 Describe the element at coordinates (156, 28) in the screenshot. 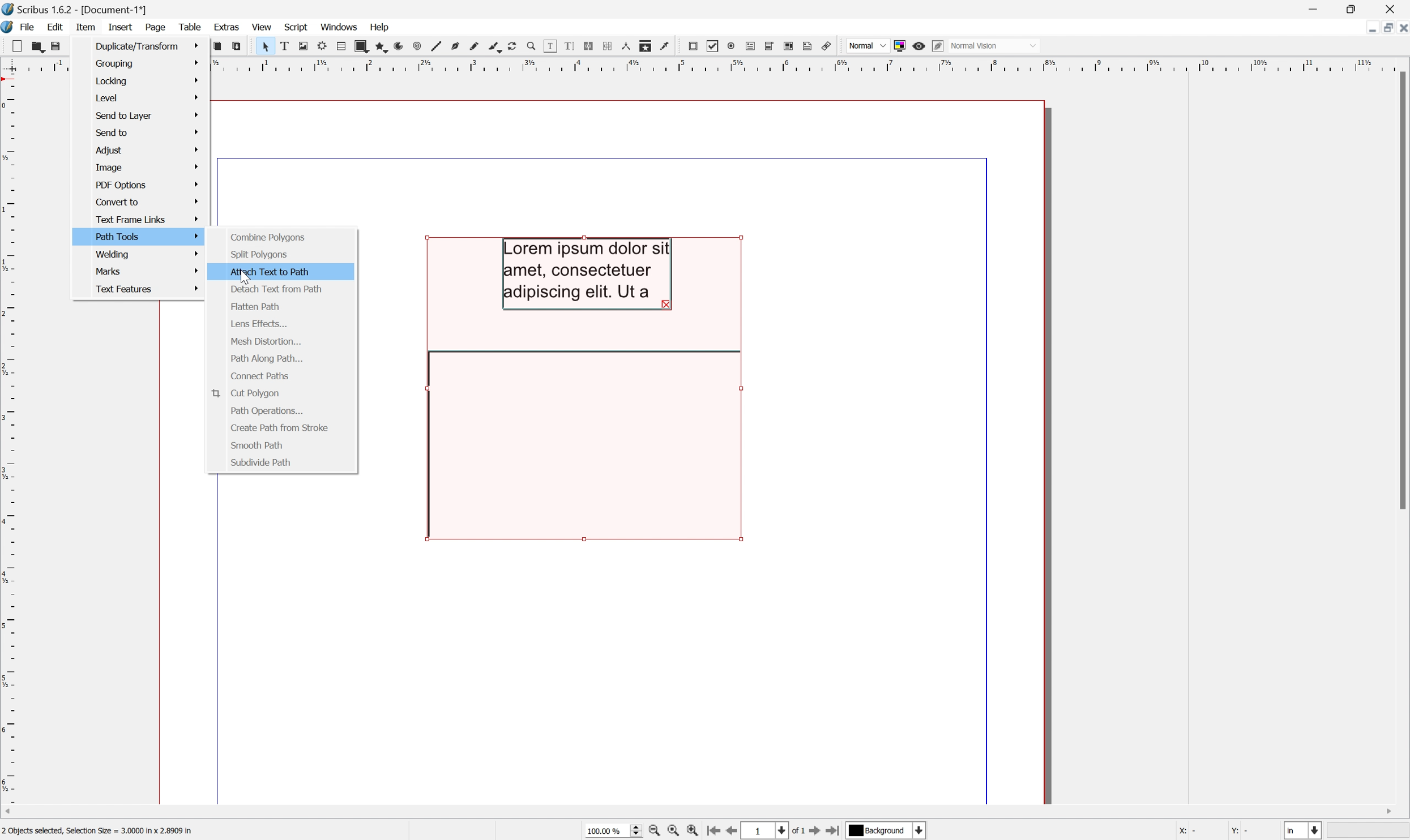

I see `Page` at that location.